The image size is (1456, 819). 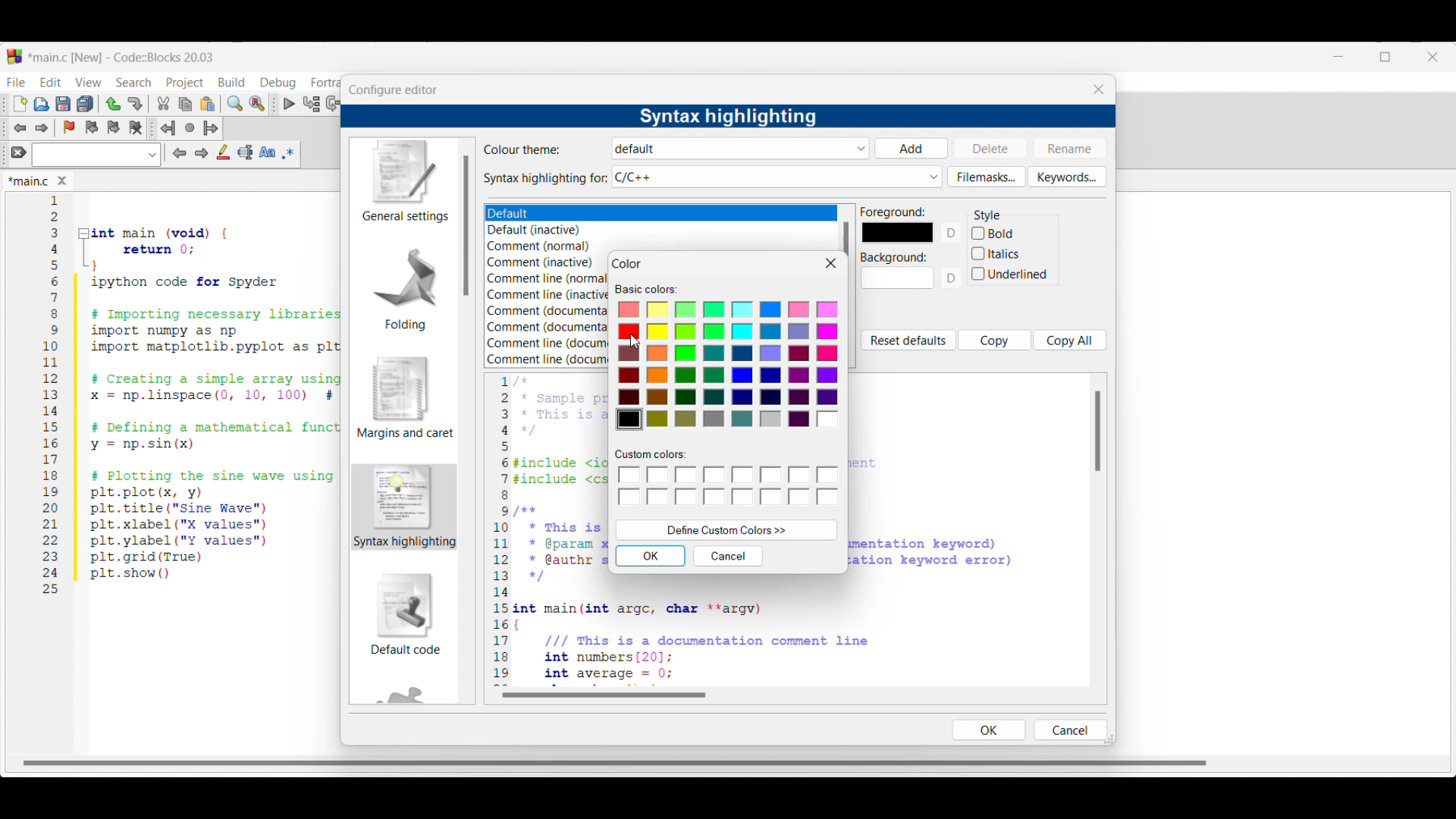 What do you see at coordinates (405, 507) in the screenshot?
I see `Current setting highlighted` at bounding box center [405, 507].